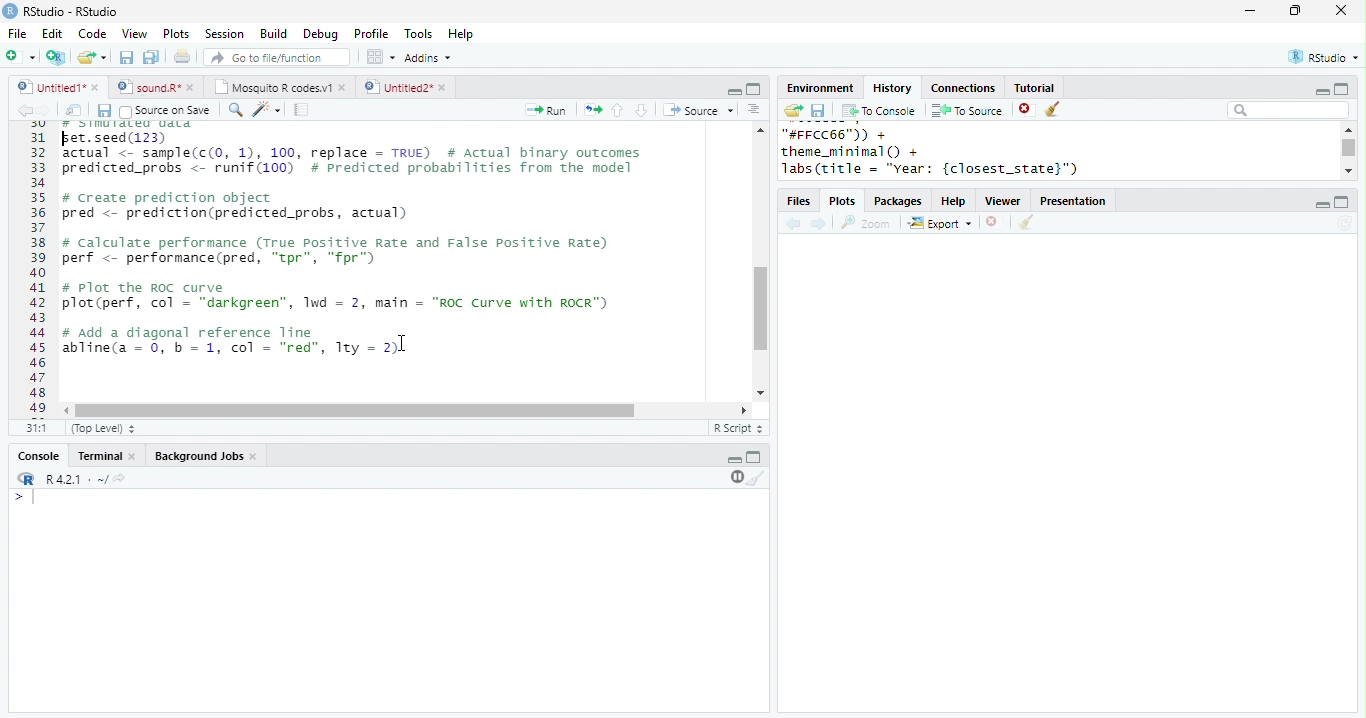 This screenshot has height=718, width=1366. Describe the element at coordinates (183, 56) in the screenshot. I see `print` at that location.